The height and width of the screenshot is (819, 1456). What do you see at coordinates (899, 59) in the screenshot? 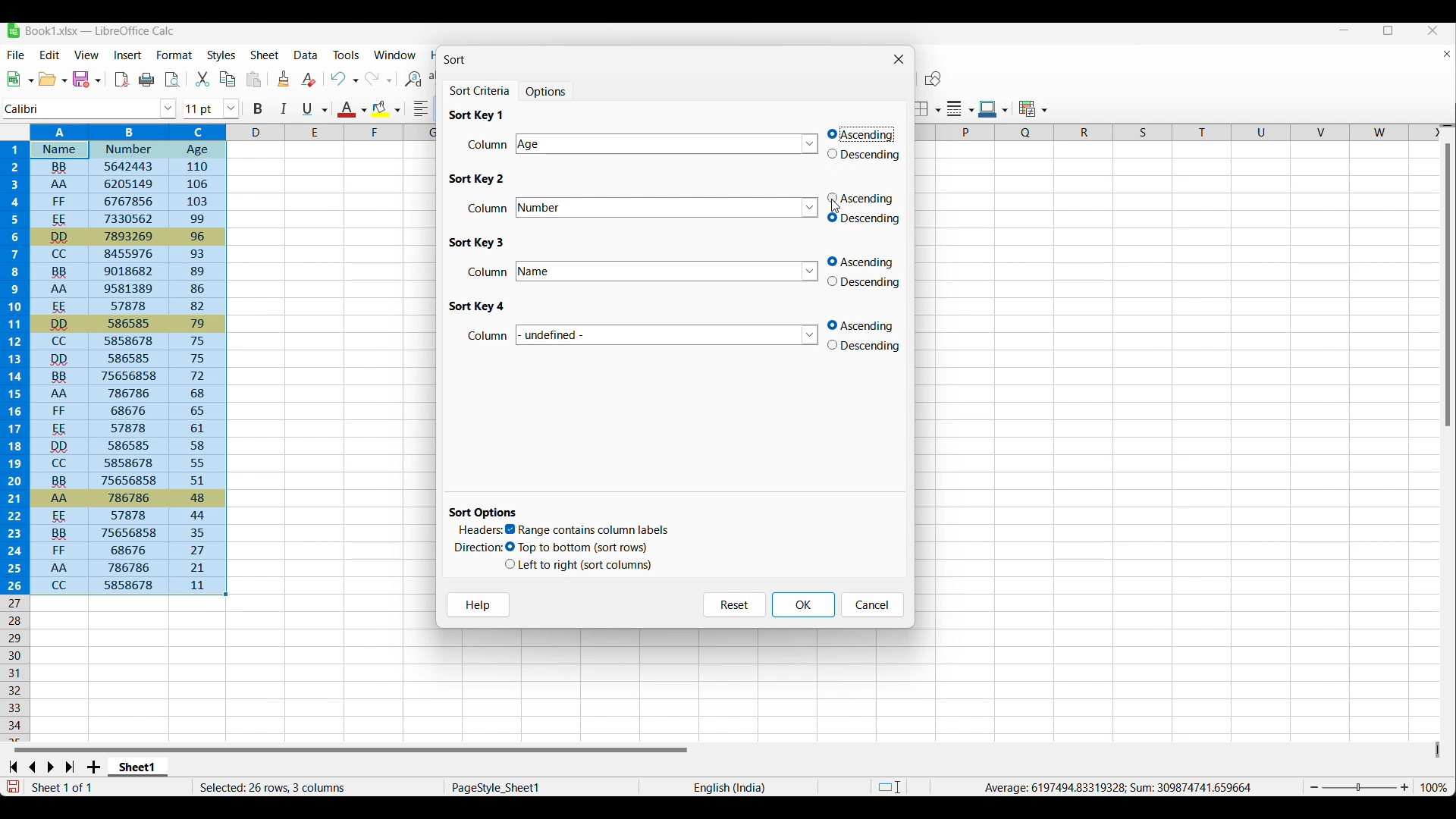
I see `Close window` at bounding box center [899, 59].